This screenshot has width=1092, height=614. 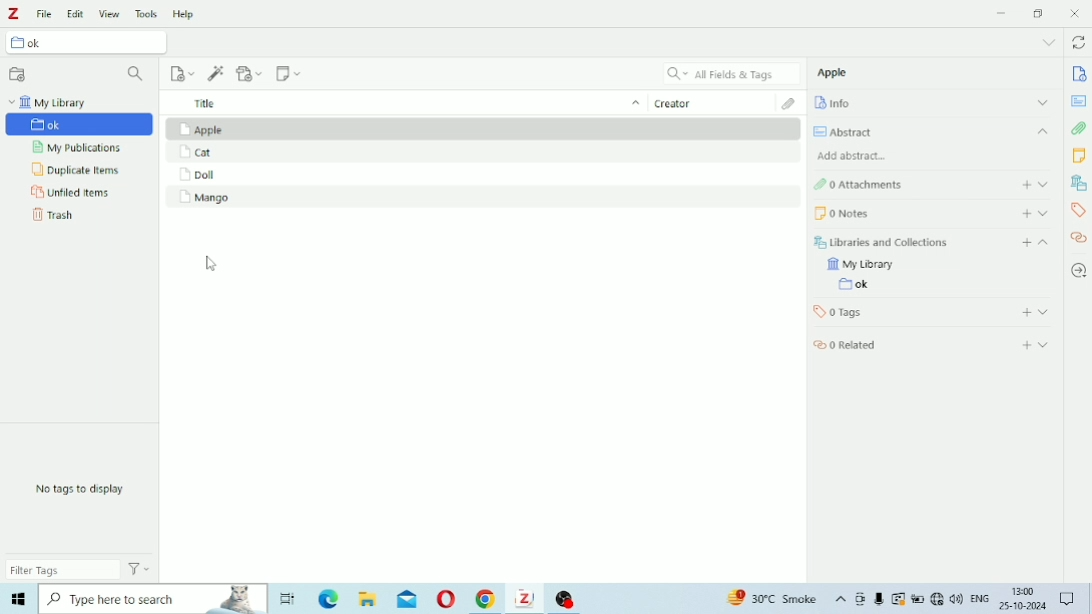 What do you see at coordinates (565, 598) in the screenshot?
I see `` at bounding box center [565, 598].